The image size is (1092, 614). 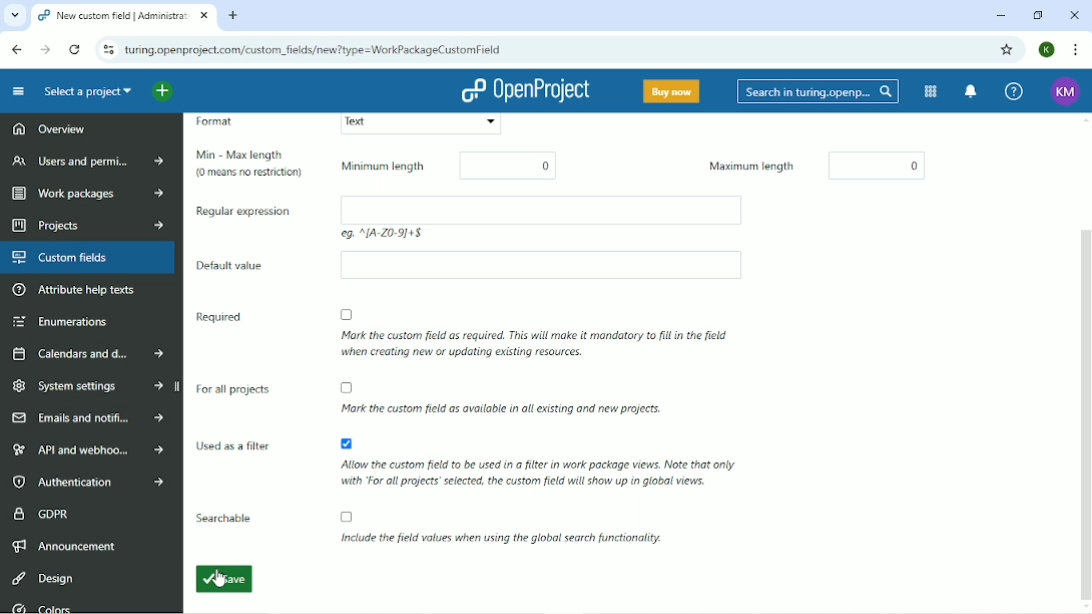 I want to click on Default value, so click(x=239, y=262).